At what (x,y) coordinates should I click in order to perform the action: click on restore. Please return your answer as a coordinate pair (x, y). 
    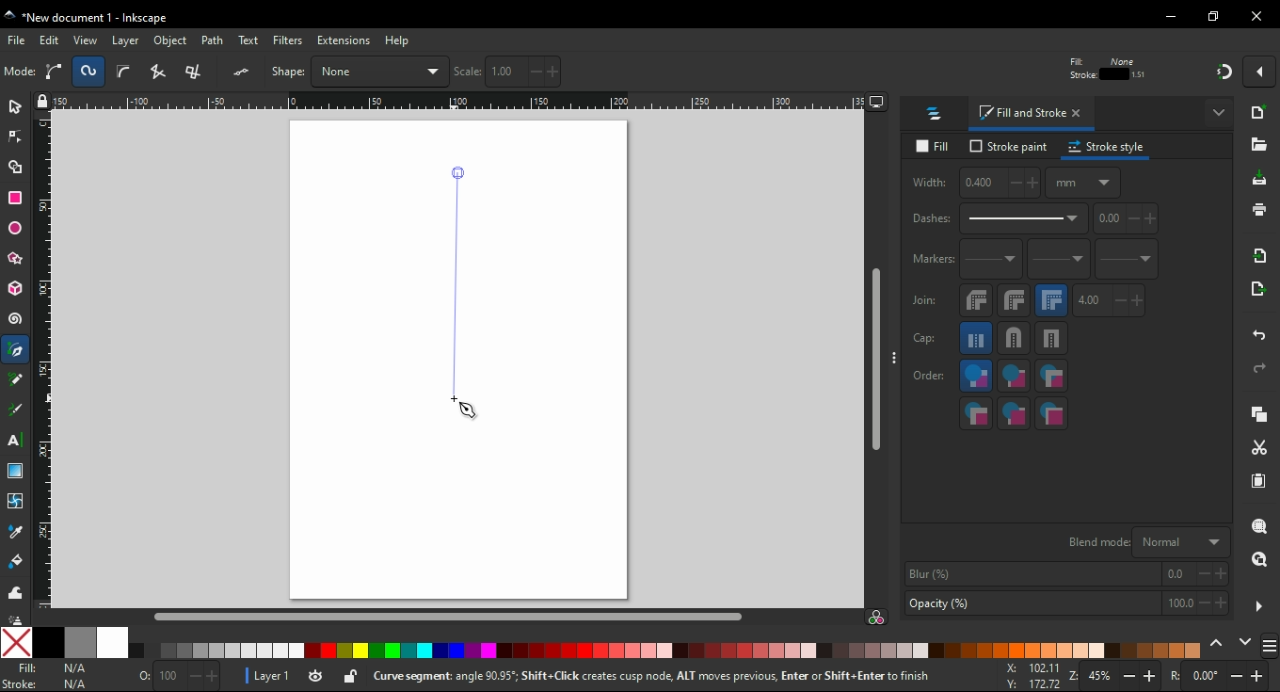
    Looking at the image, I should click on (1216, 16).